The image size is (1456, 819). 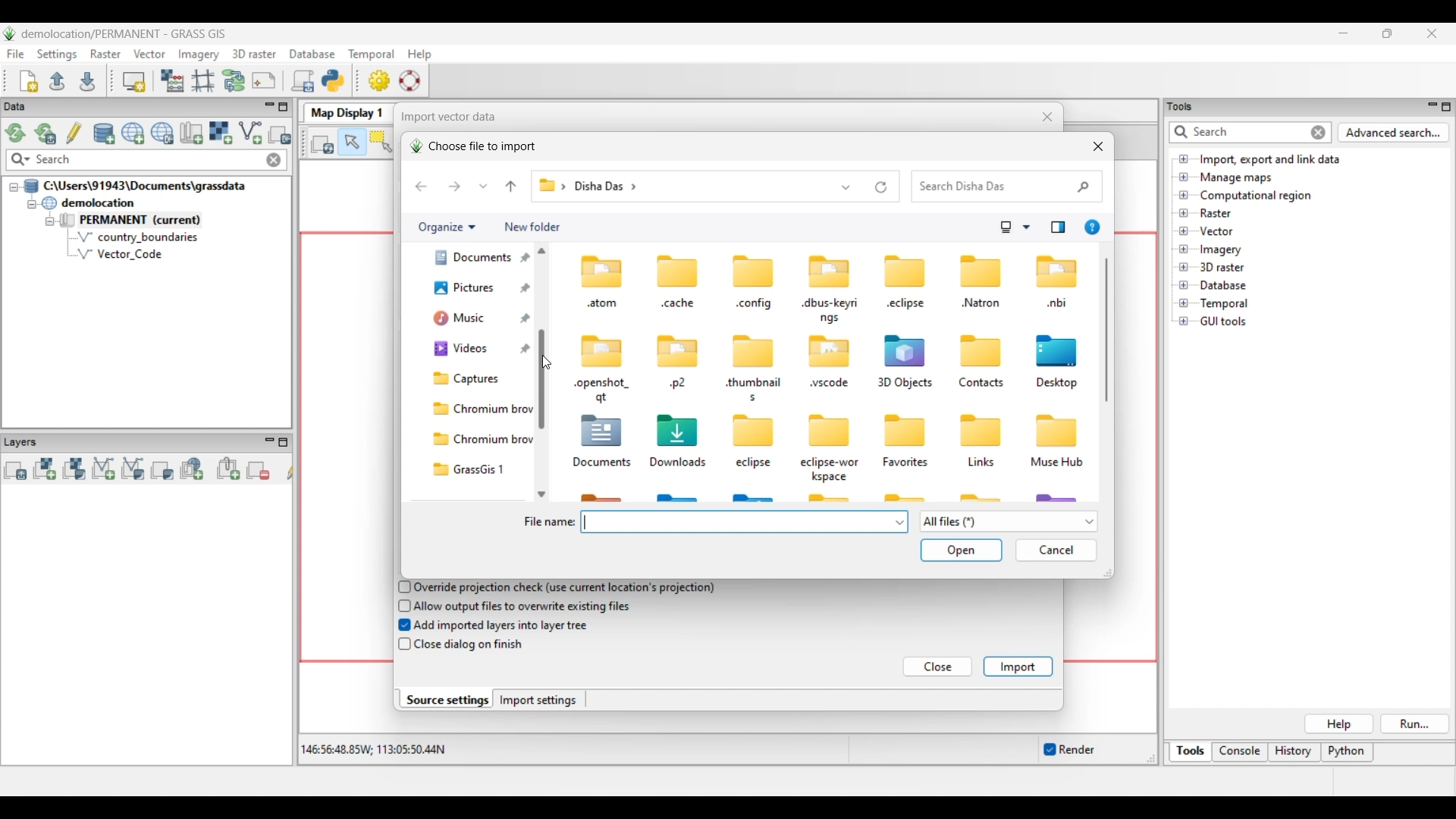 I want to click on Current/Gallery folder, so click(x=469, y=293).